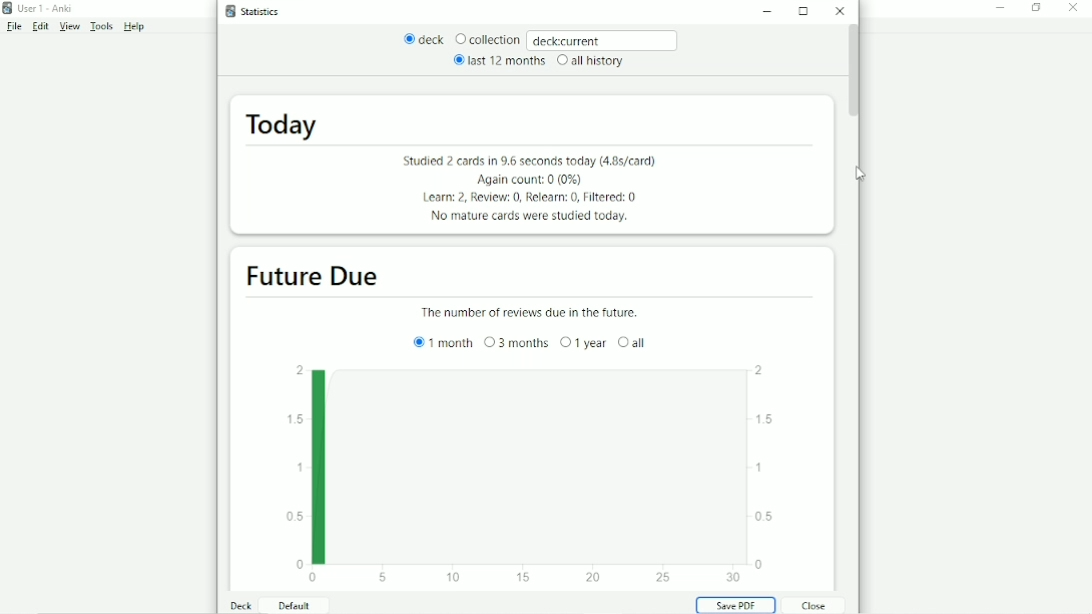  What do you see at coordinates (859, 175) in the screenshot?
I see `Cursor` at bounding box center [859, 175].